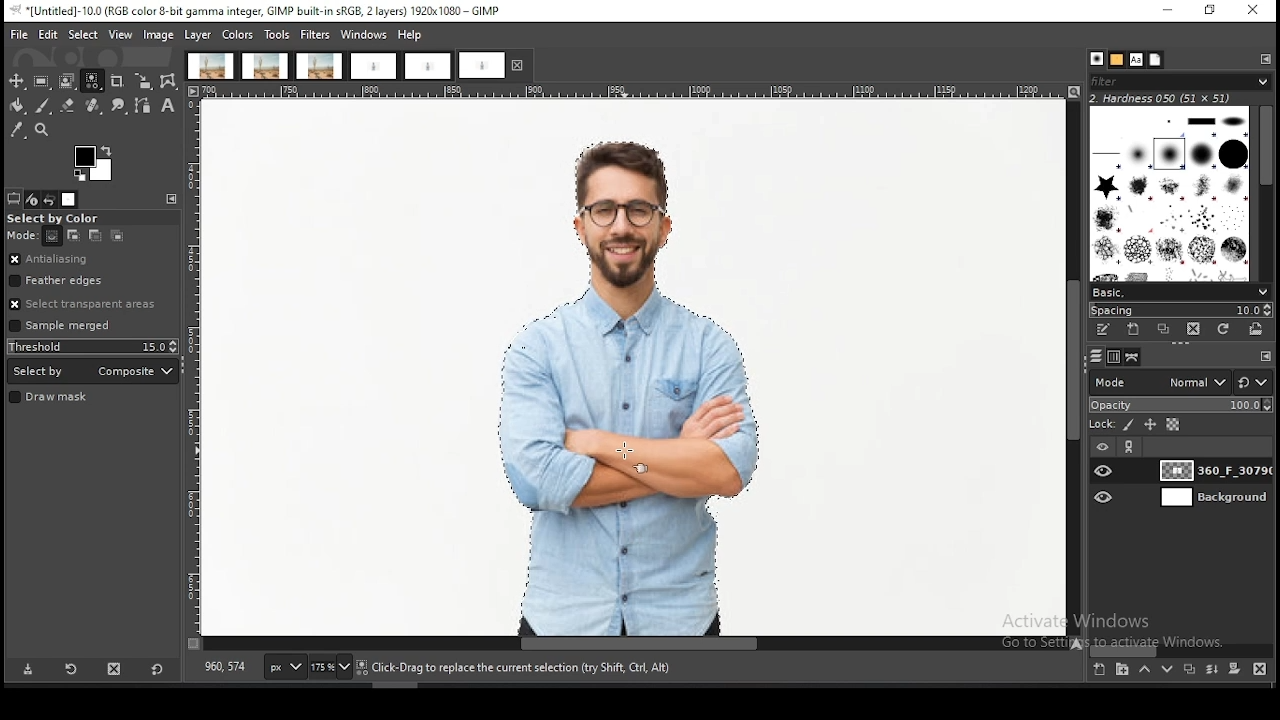 This screenshot has height=720, width=1280. I want to click on mode:, so click(23, 236).